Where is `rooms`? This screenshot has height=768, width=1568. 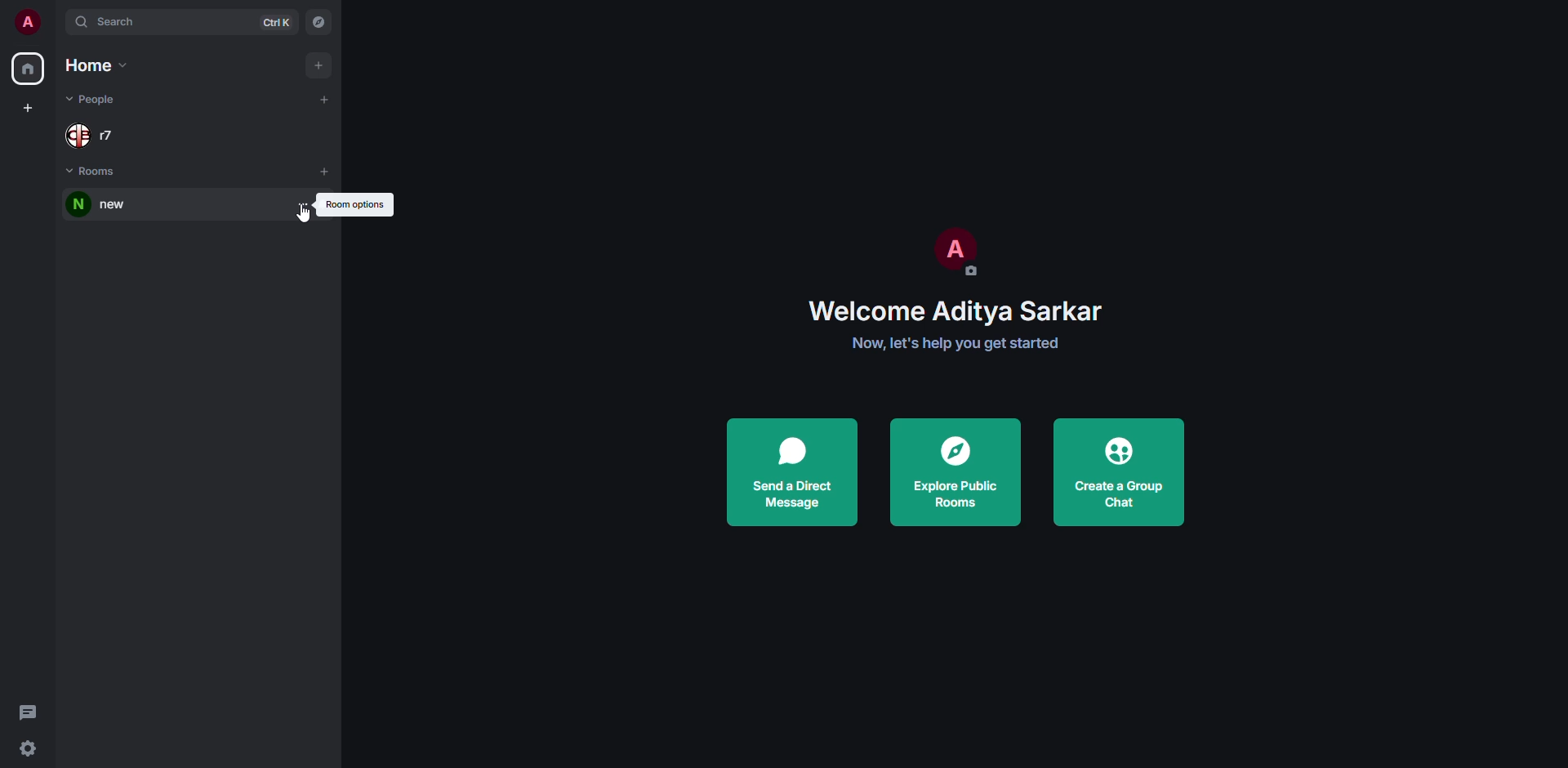
rooms is located at coordinates (91, 168).